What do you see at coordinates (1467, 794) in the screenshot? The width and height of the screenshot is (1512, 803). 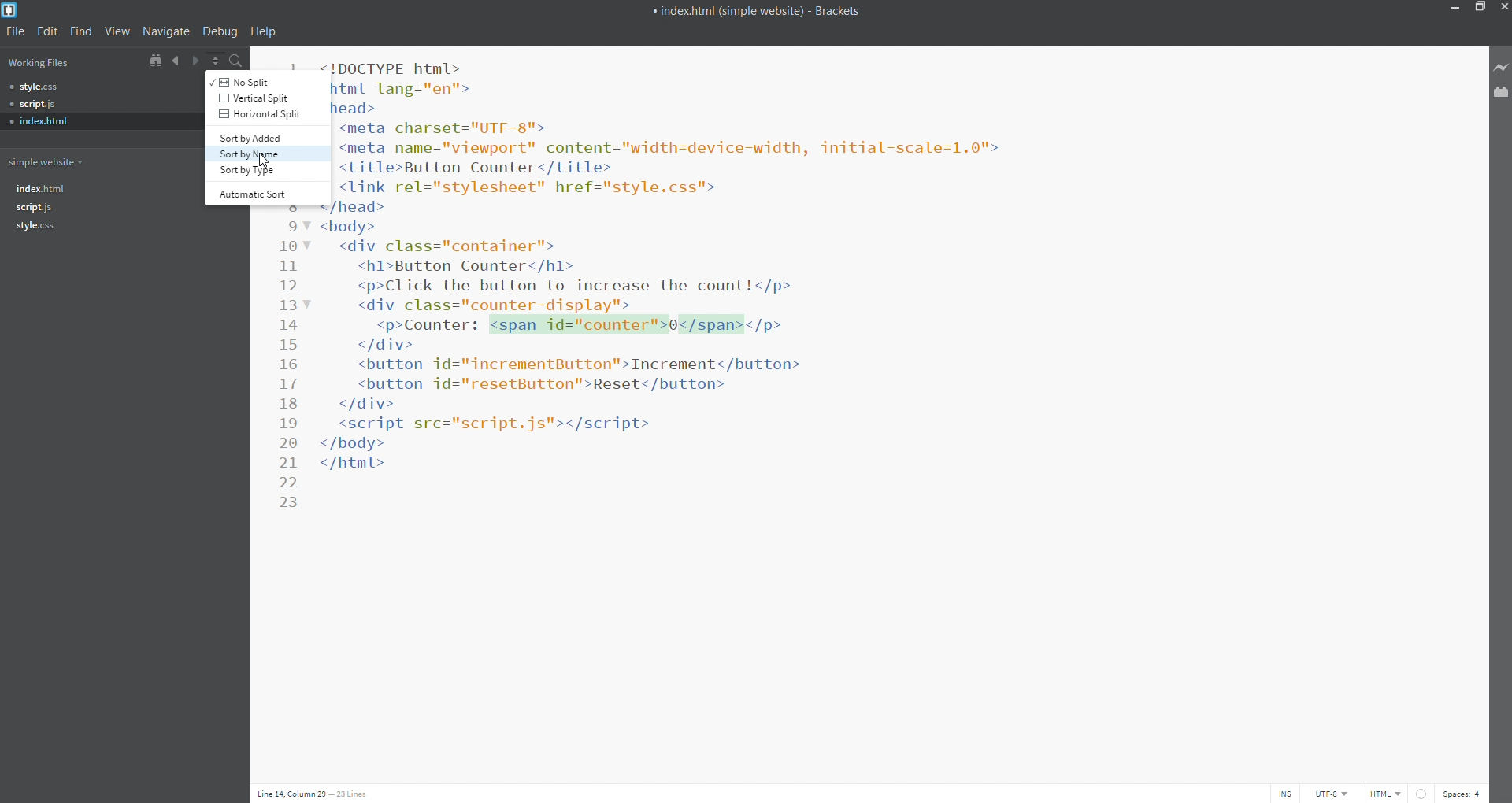 I see `space count` at bounding box center [1467, 794].